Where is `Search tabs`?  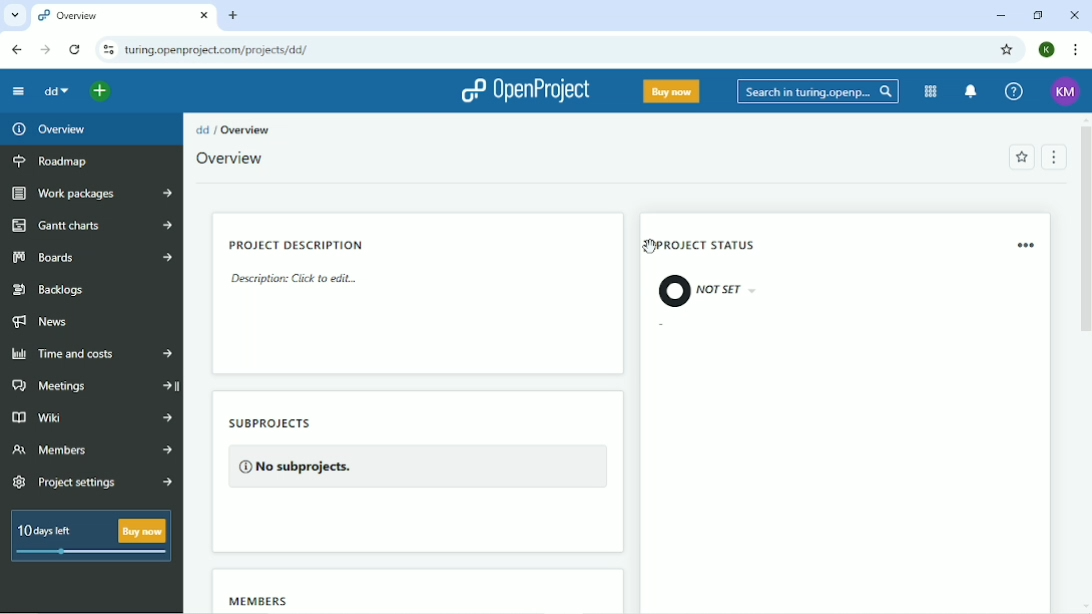 Search tabs is located at coordinates (14, 14).